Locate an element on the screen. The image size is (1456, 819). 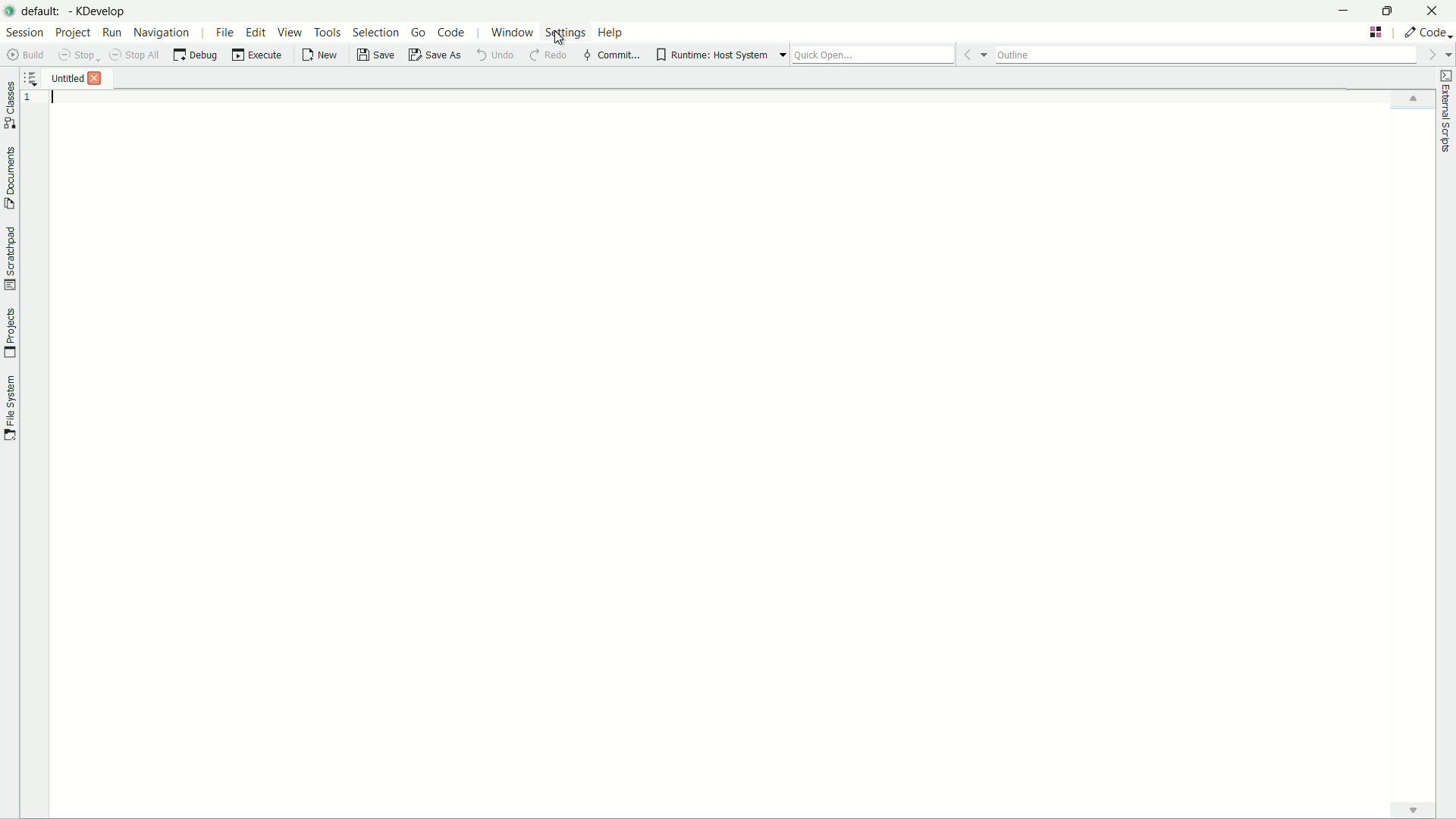
tools is located at coordinates (328, 33).